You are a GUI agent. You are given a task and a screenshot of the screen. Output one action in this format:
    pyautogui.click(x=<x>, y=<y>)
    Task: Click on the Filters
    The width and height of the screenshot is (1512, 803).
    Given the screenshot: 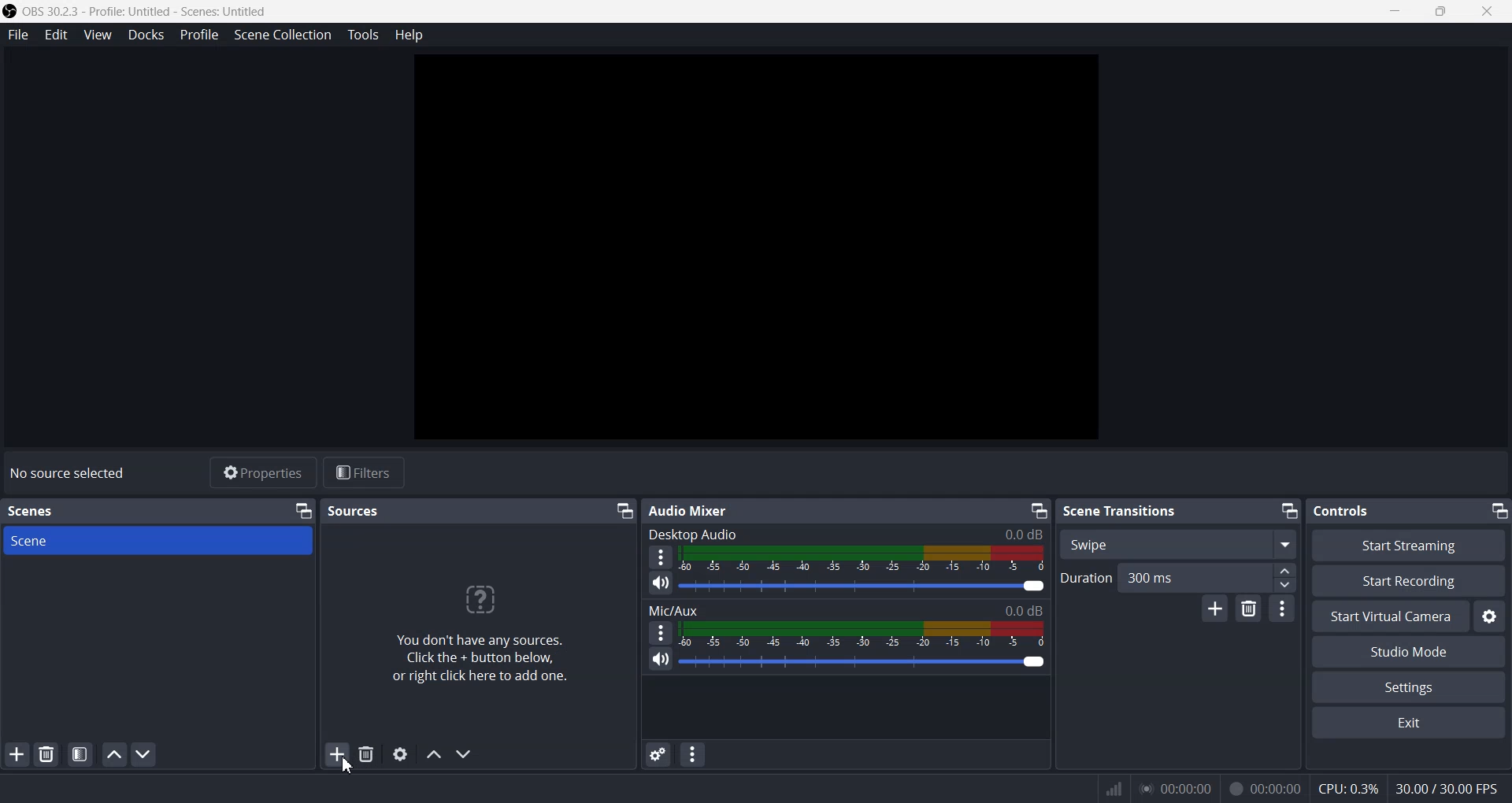 What is the action you would take?
    pyautogui.click(x=365, y=472)
    